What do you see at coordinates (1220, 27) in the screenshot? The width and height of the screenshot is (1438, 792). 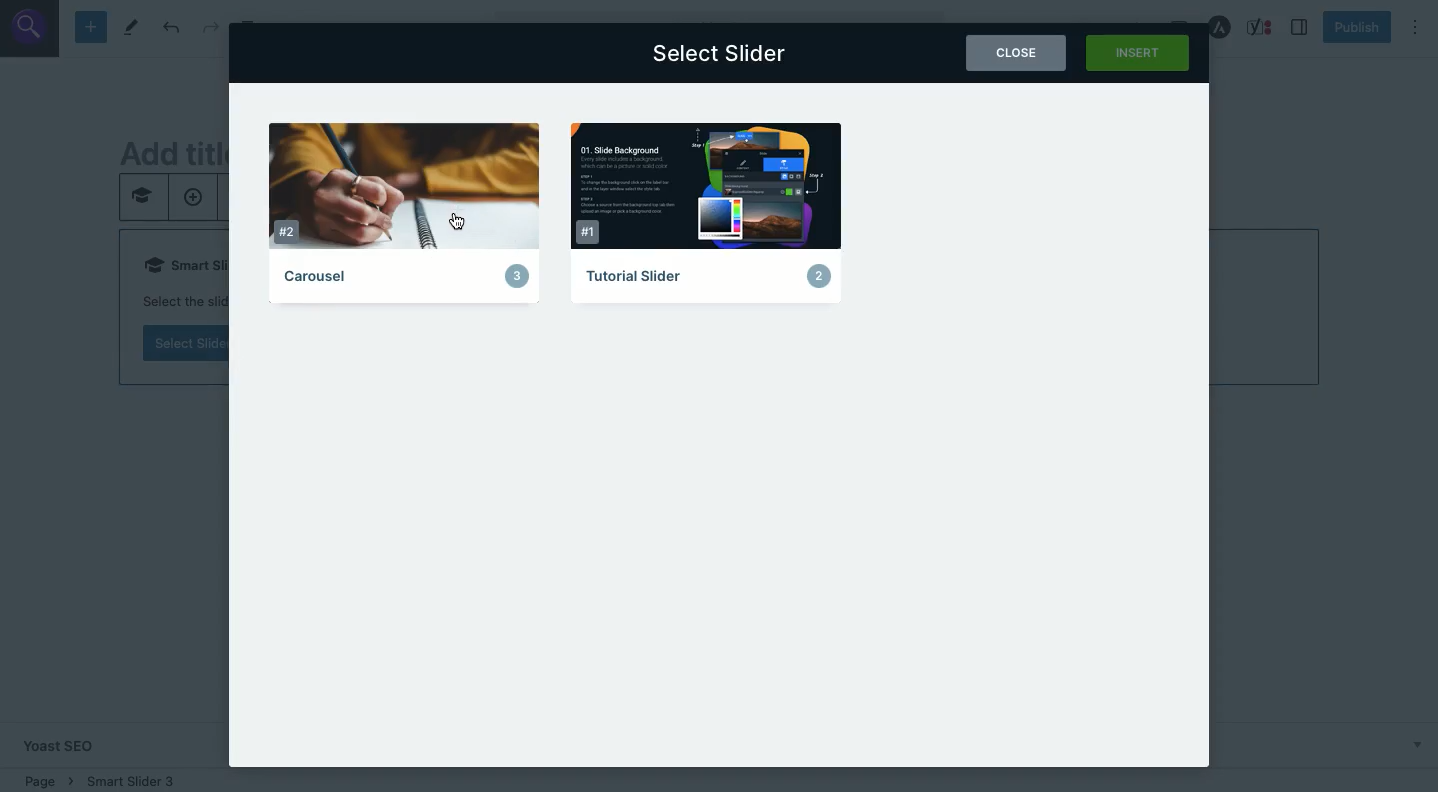 I see `Astra` at bounding box center [1220, 27].